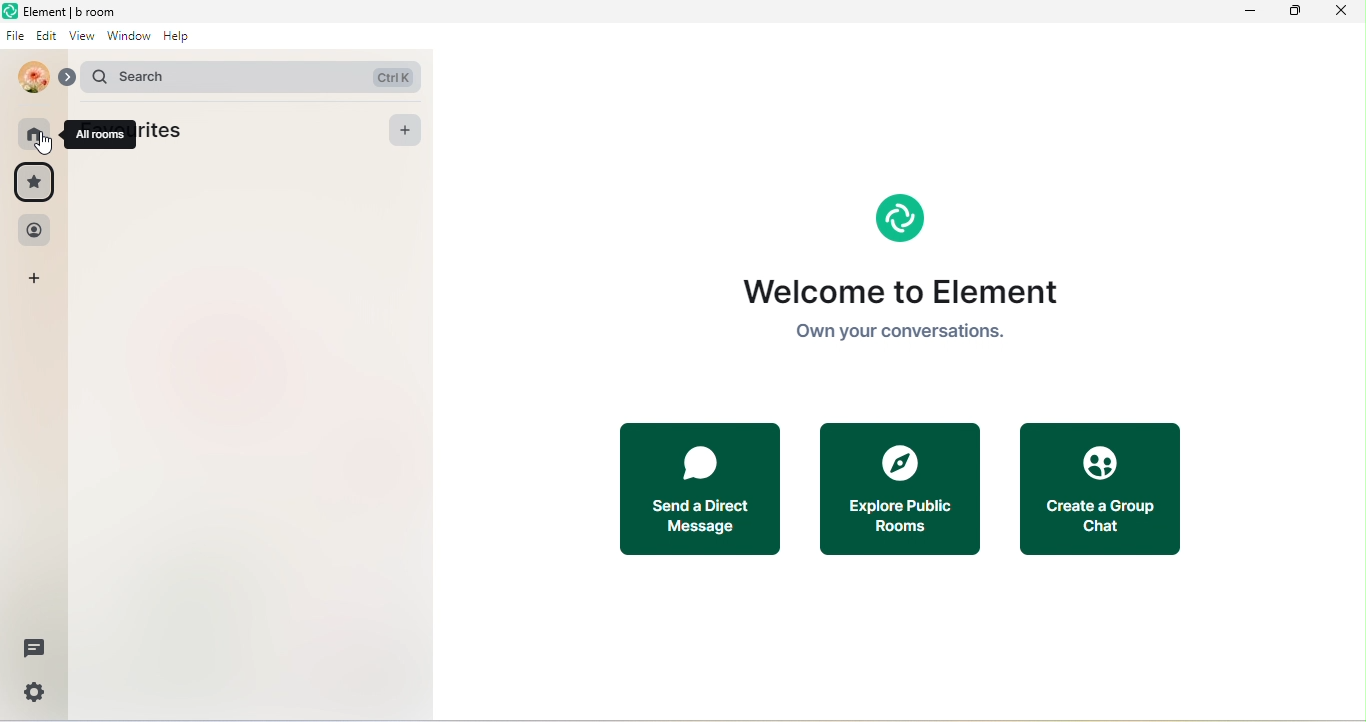  What do you see at coordinates (247, 75) in the screenshot?
I see `search bar` at bounding box center [247, 75].